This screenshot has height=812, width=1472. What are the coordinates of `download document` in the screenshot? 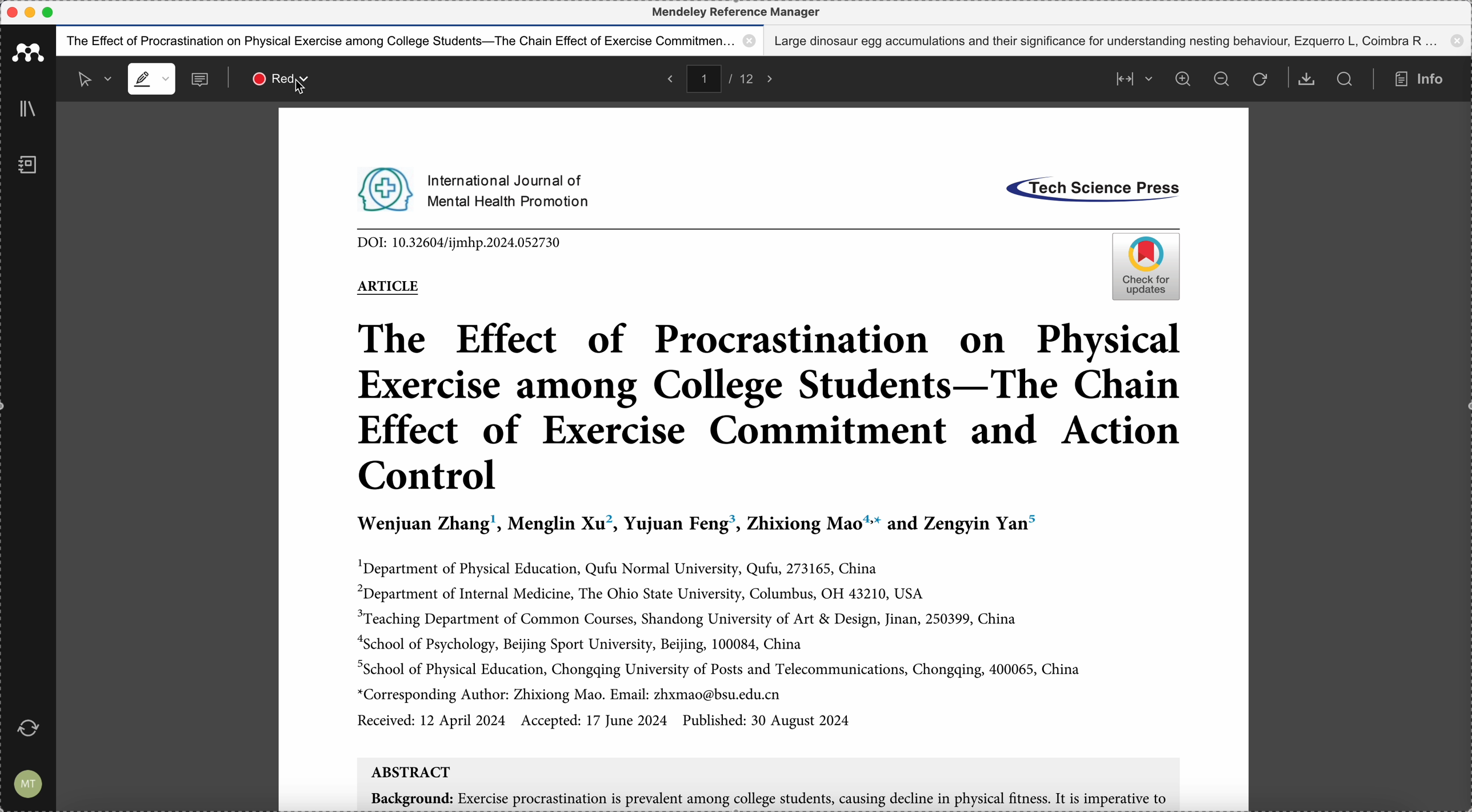 It's located at (1307, 79).